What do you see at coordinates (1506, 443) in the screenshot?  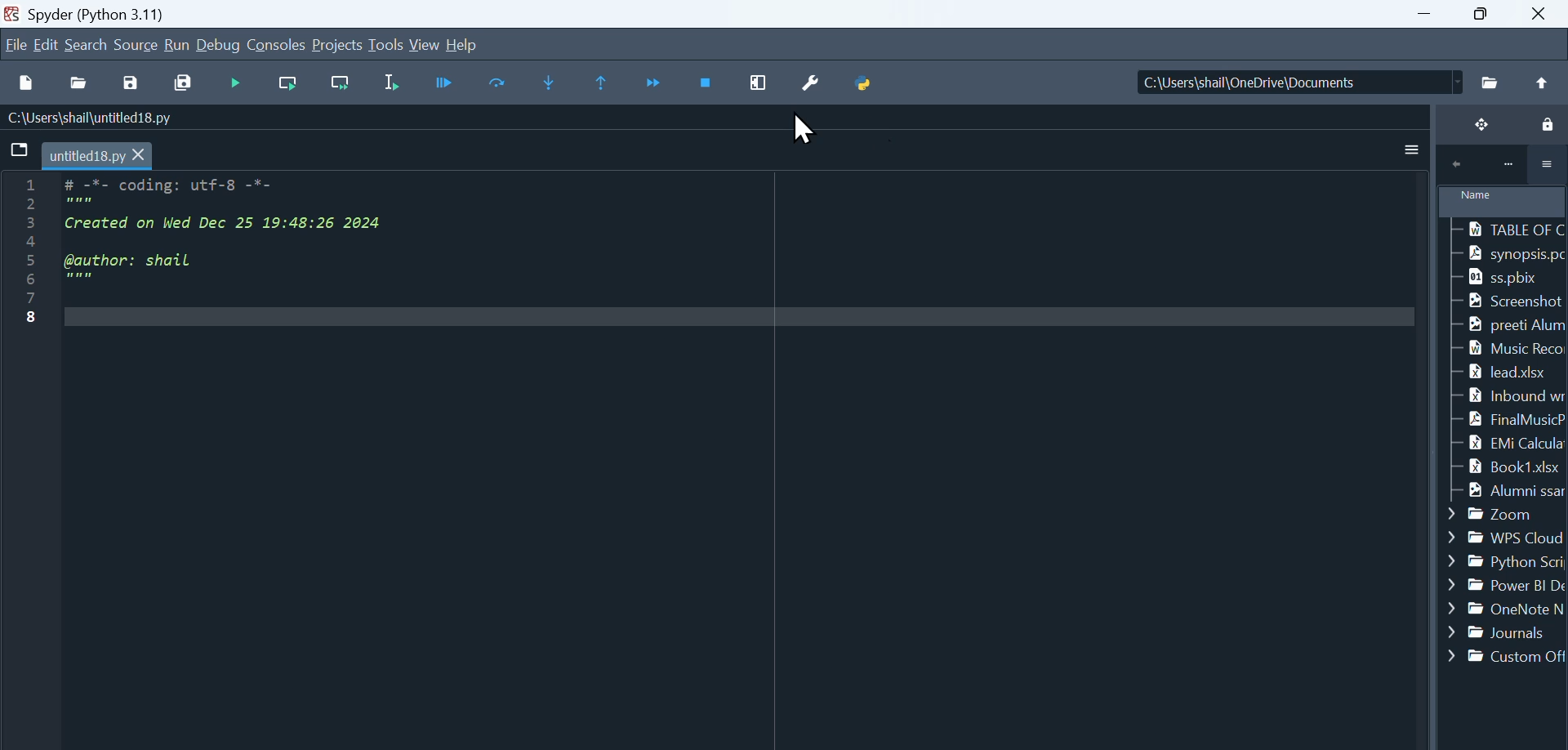 I see `EM: Calcul:..` at bounding box center [1506, 443].